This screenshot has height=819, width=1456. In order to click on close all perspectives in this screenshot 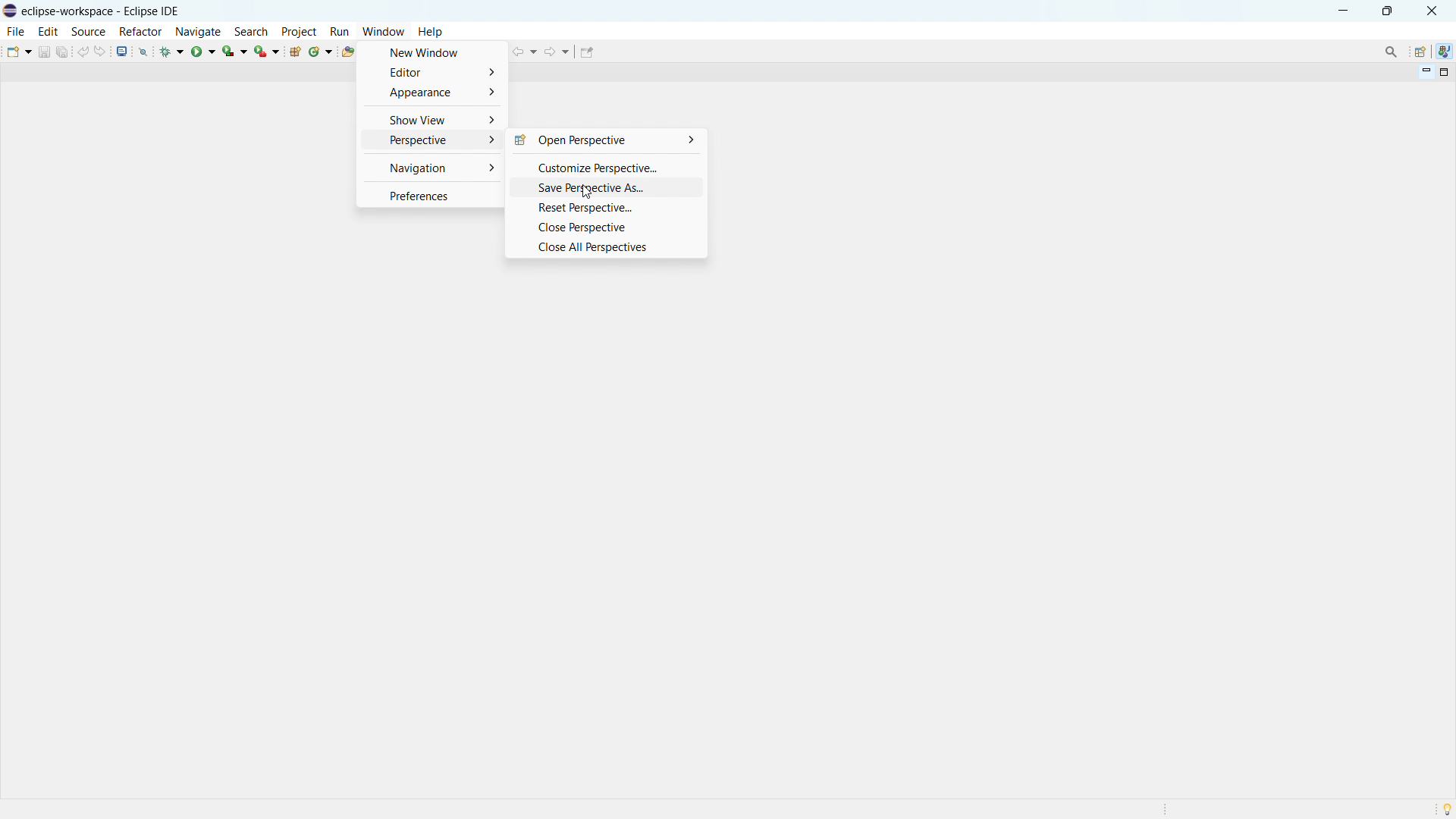, I will do `click(607, 248)`.